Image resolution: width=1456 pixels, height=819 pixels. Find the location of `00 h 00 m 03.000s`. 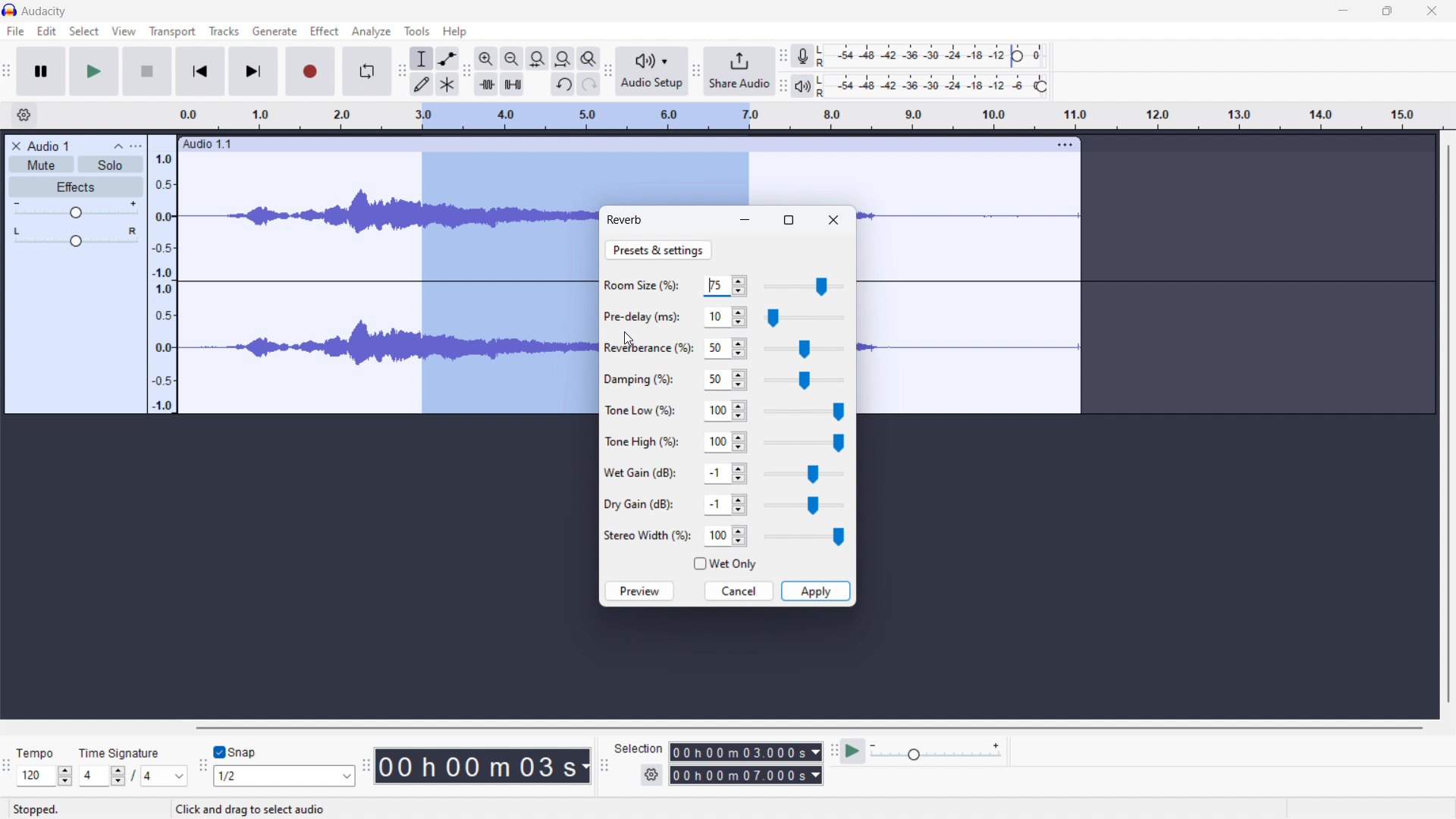

00 h 00 m 03.000s is located at coordinates (745, 752).